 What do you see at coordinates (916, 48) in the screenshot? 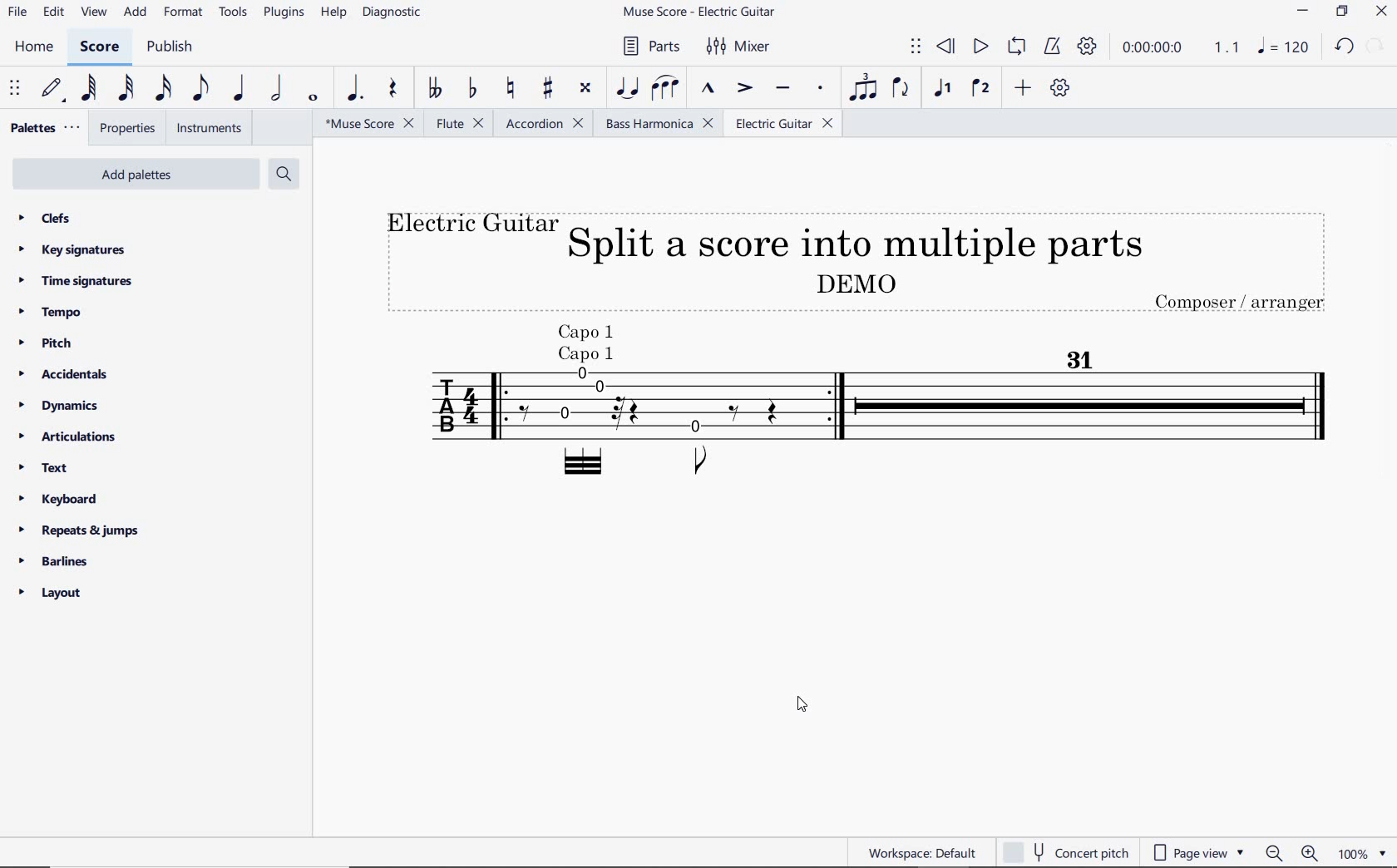
I see `select to move` at bounding box center [916, 48].